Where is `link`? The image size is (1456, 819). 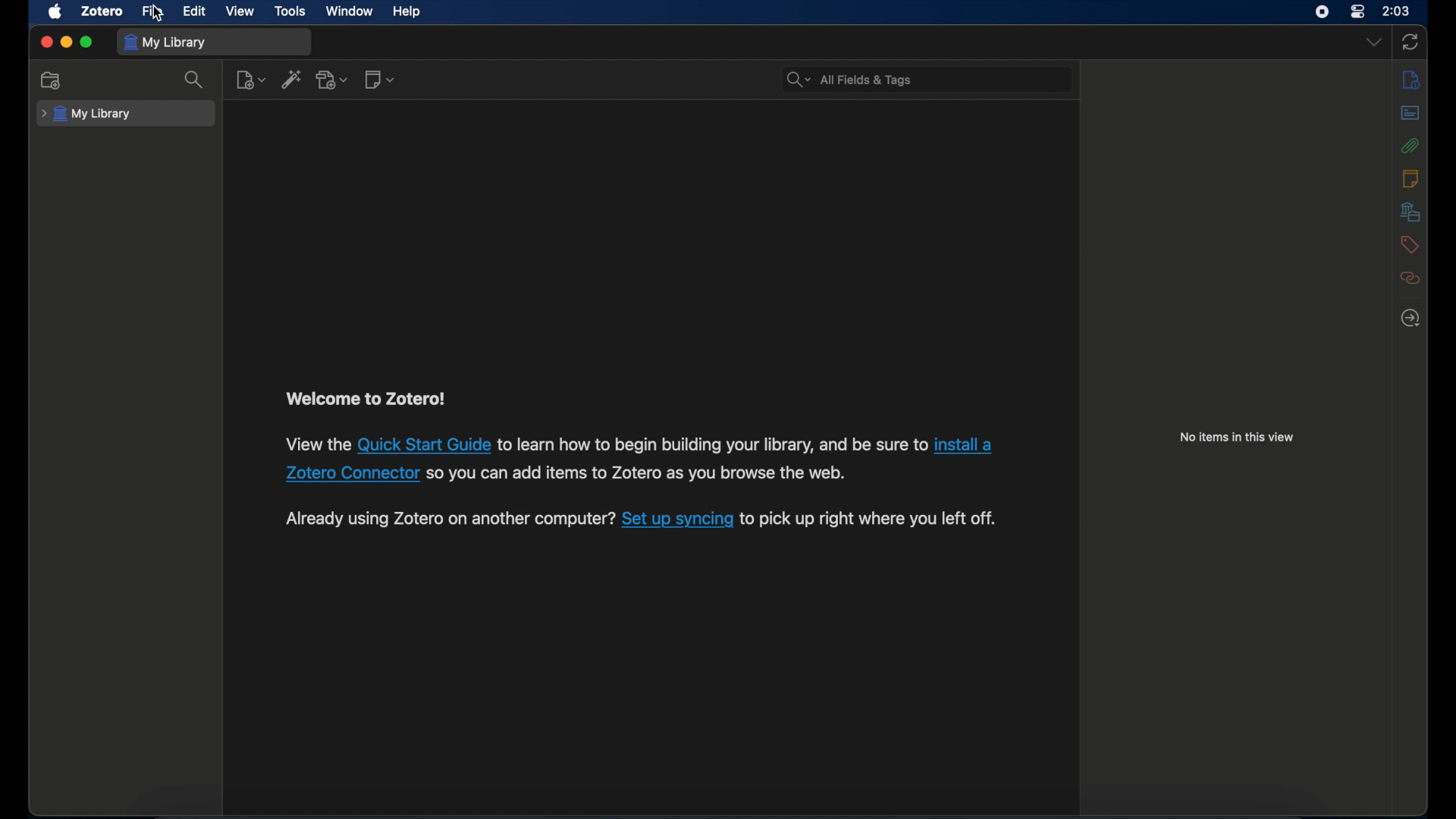 link is located at coordinates (676, 521).